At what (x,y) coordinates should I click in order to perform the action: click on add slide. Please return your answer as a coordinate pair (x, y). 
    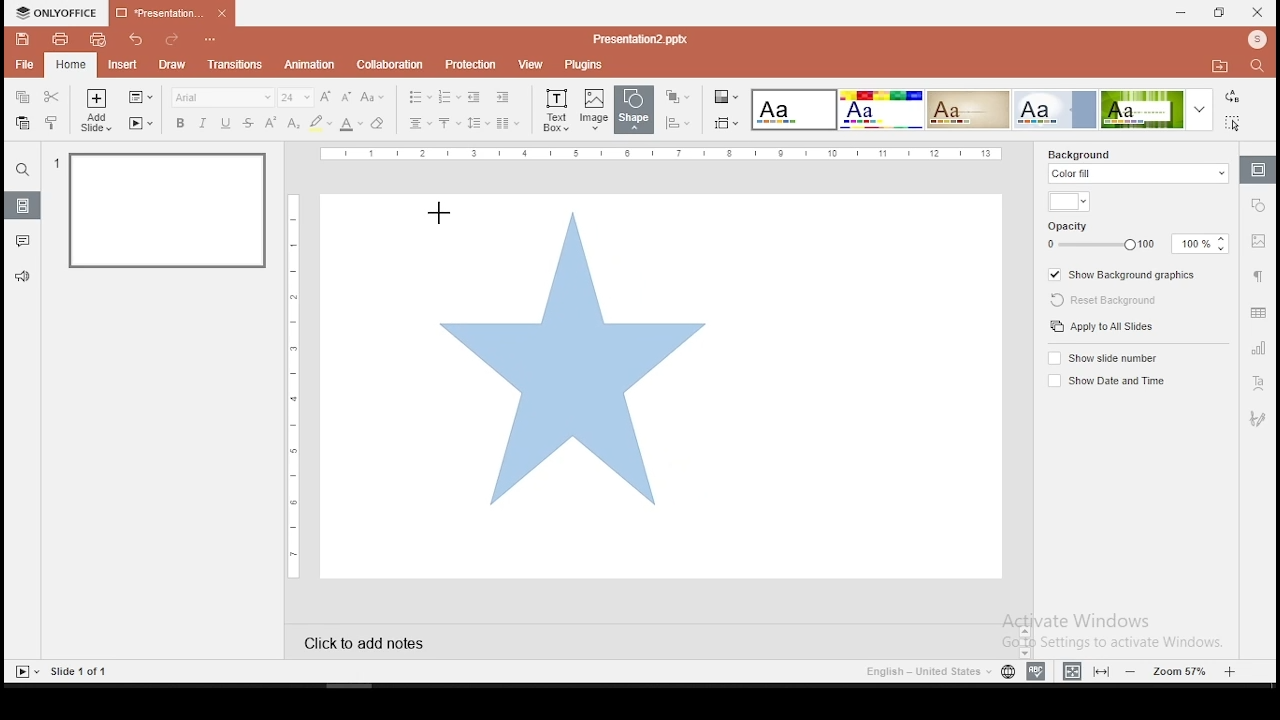
    Looking at the image, I should click on (96, 110).